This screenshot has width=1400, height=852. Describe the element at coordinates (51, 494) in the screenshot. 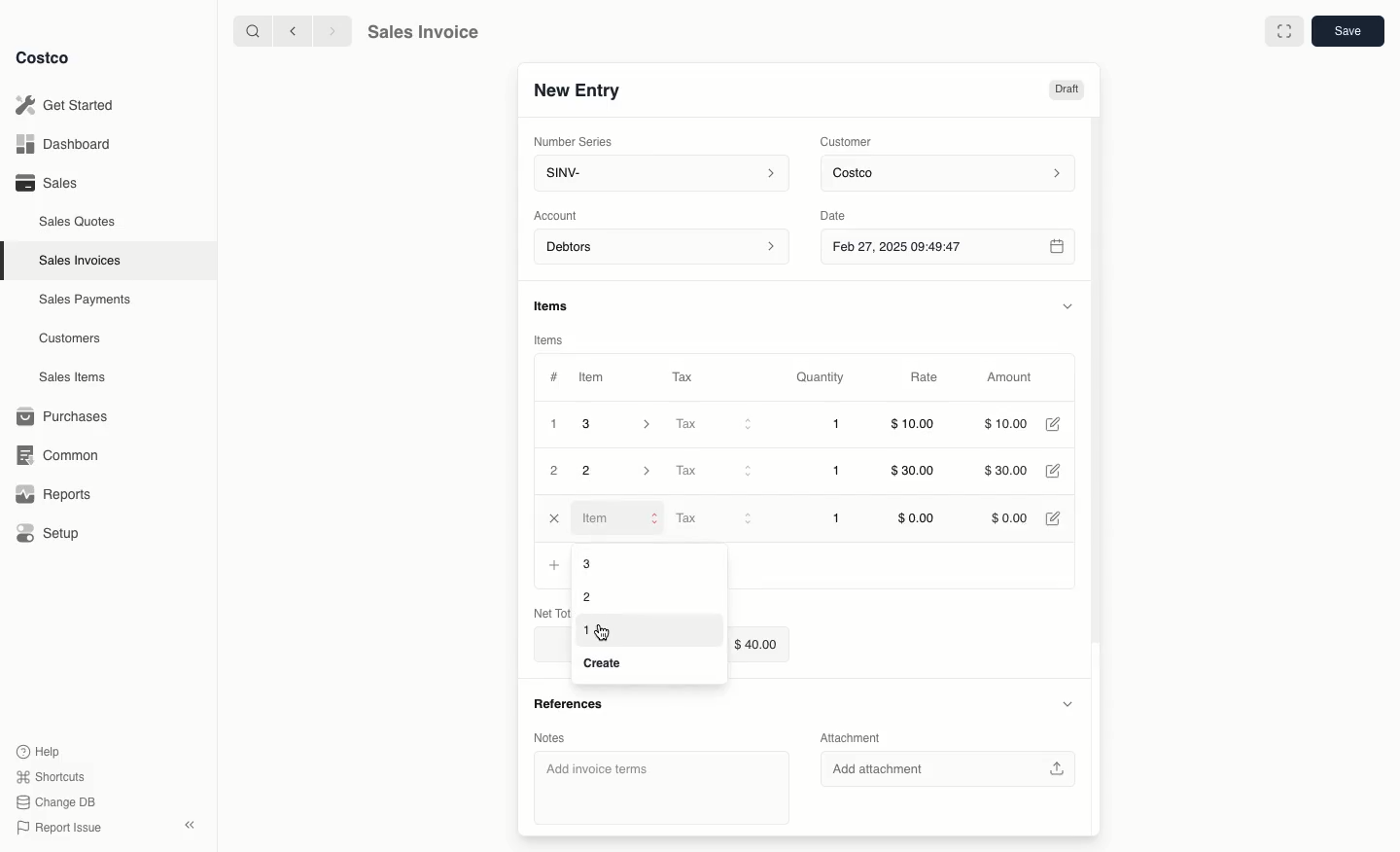

I see `Reports` at that location.